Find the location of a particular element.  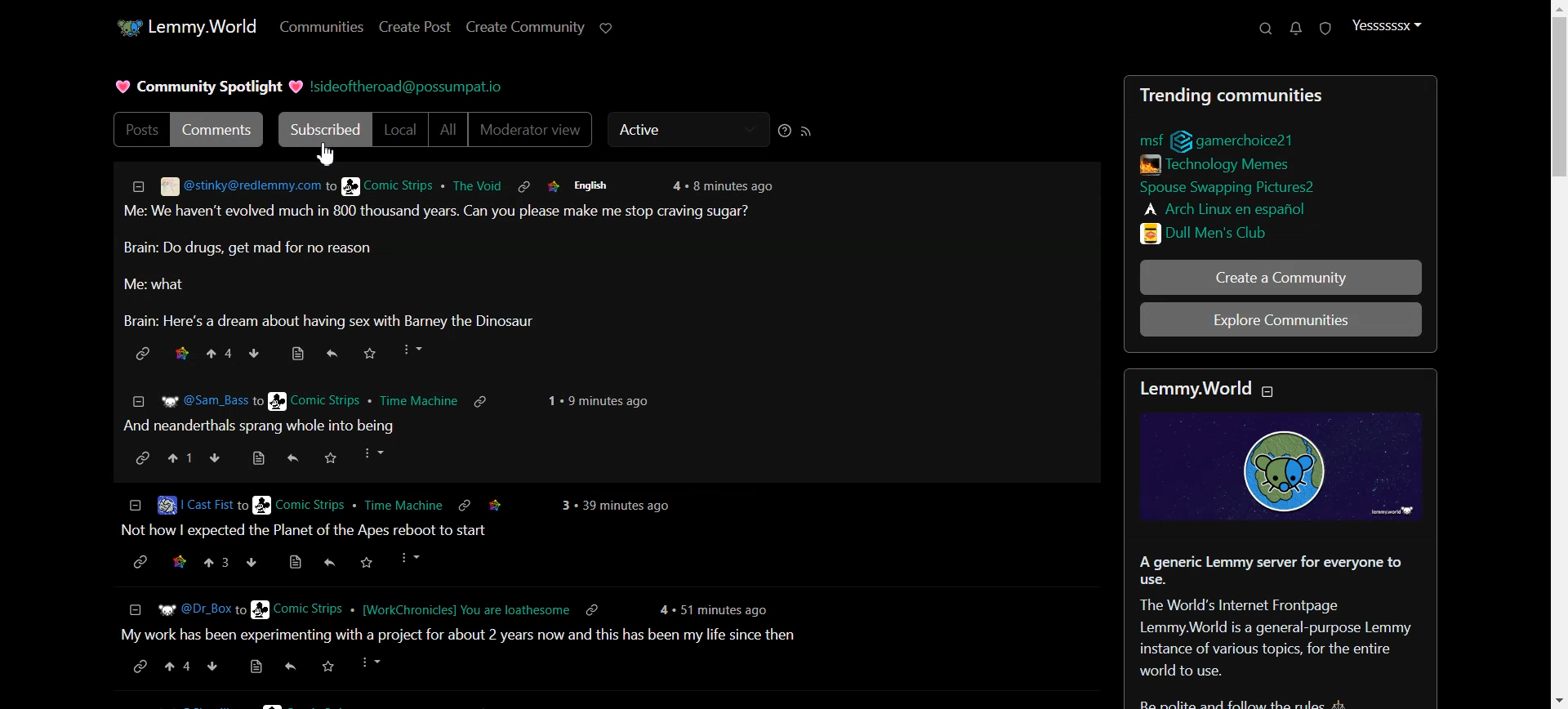

Profile is located at coordinates (1386, 25).